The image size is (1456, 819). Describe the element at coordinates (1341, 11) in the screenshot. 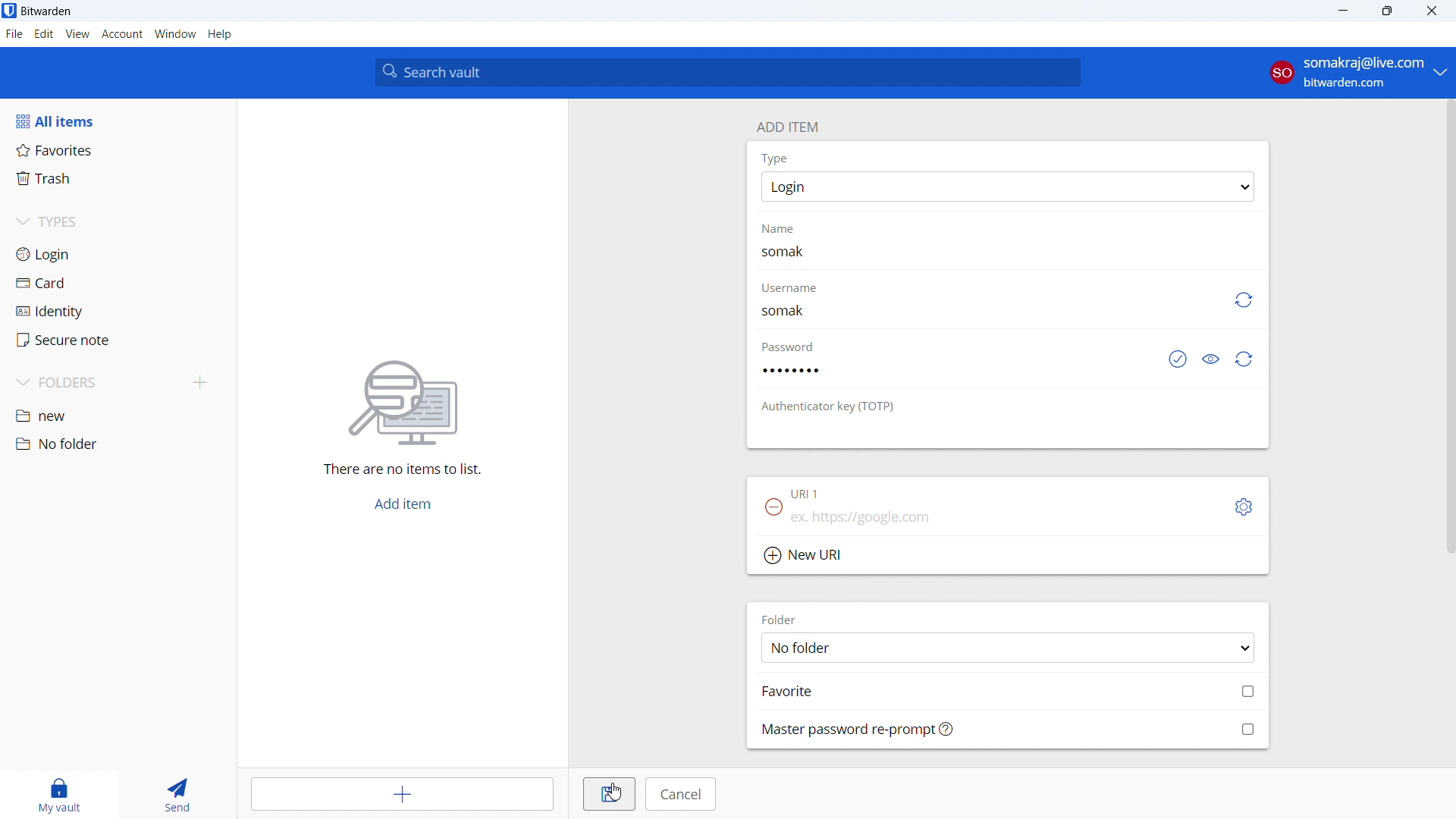

I see `minimize` at that location.